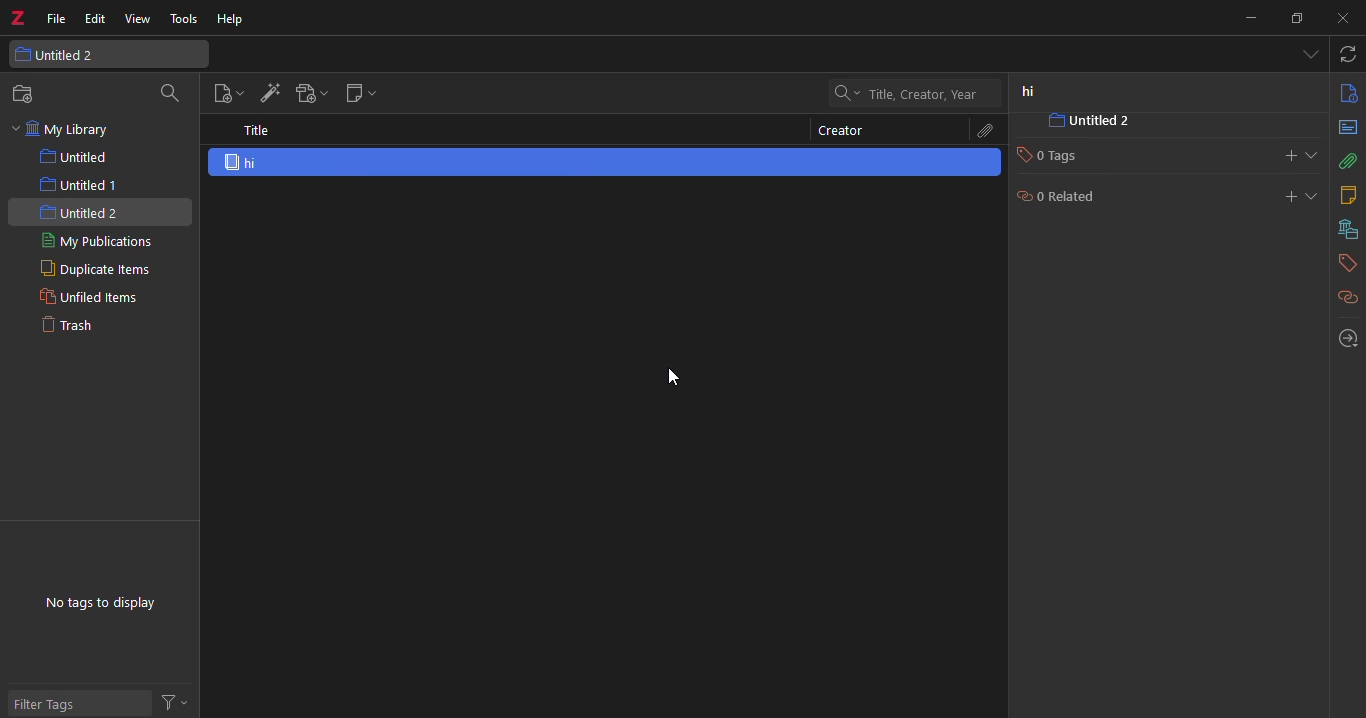 Image resolution: width=1366 pixels, height=718 pixels. I want to click on title, so click(255, 130).